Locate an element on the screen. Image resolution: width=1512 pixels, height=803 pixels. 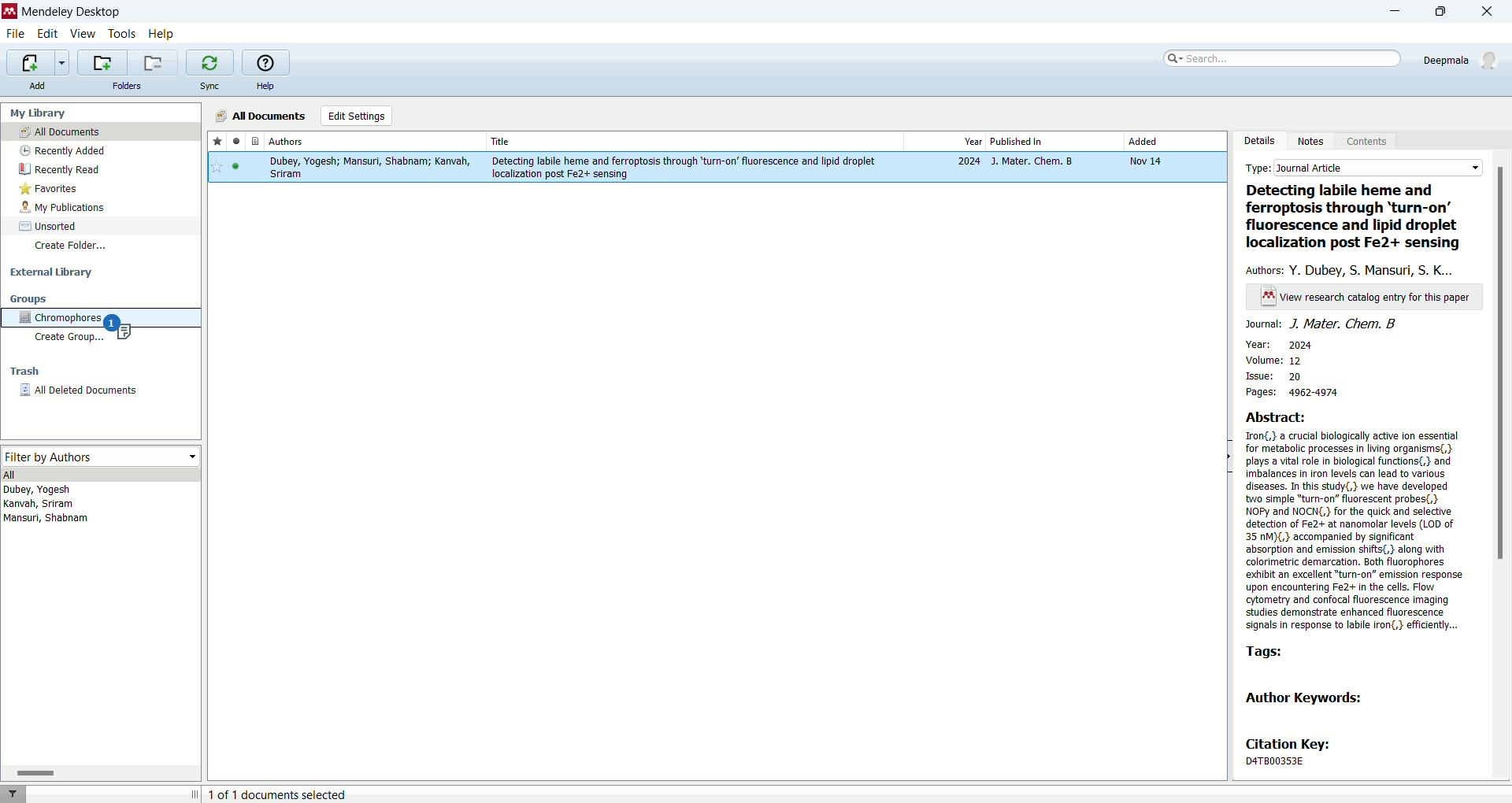
authors is located at coordinates (1354, 269).